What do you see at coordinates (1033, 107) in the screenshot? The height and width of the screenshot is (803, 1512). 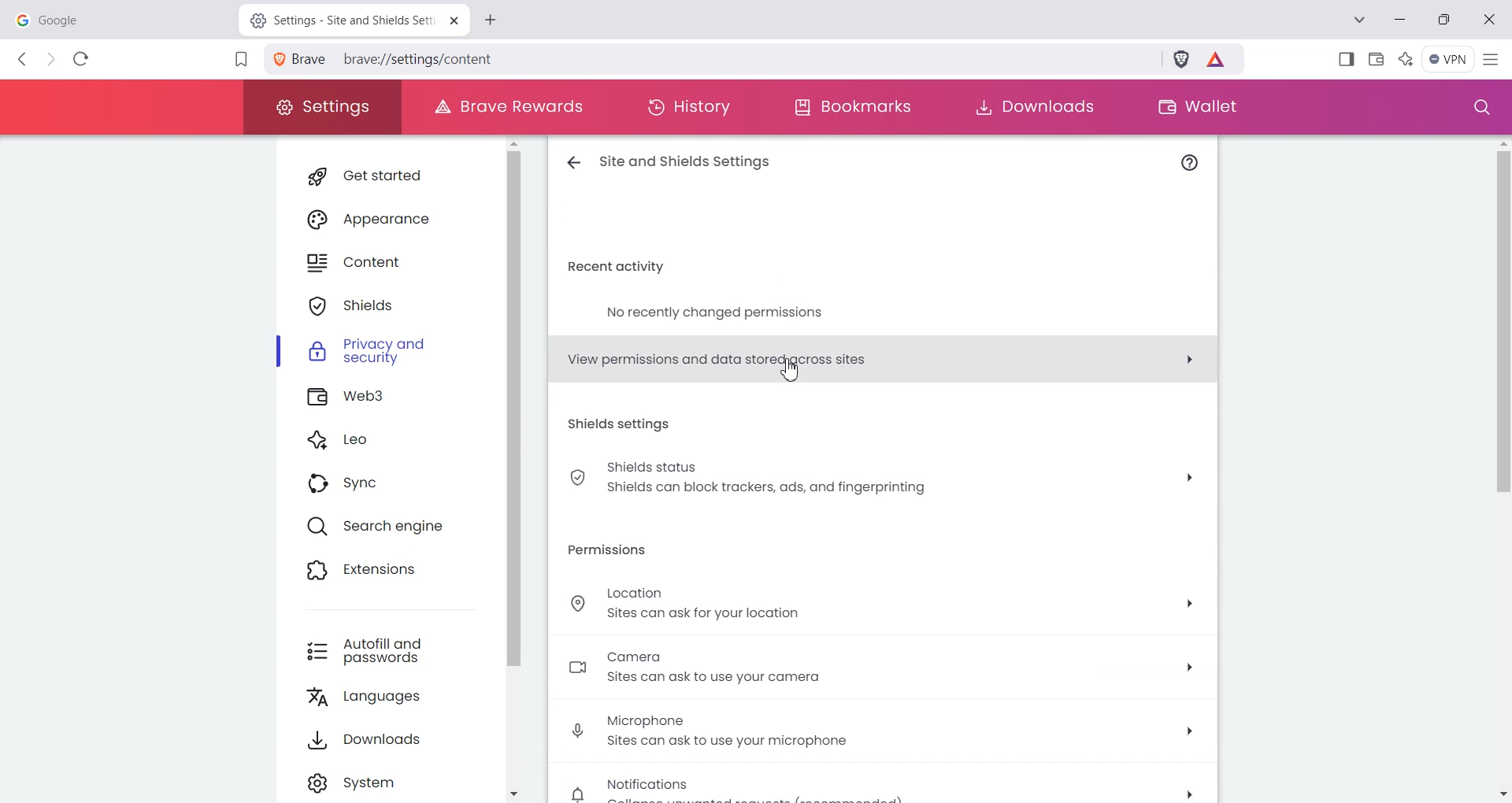 I see `Downloads` at bounding box center [1033, 107].